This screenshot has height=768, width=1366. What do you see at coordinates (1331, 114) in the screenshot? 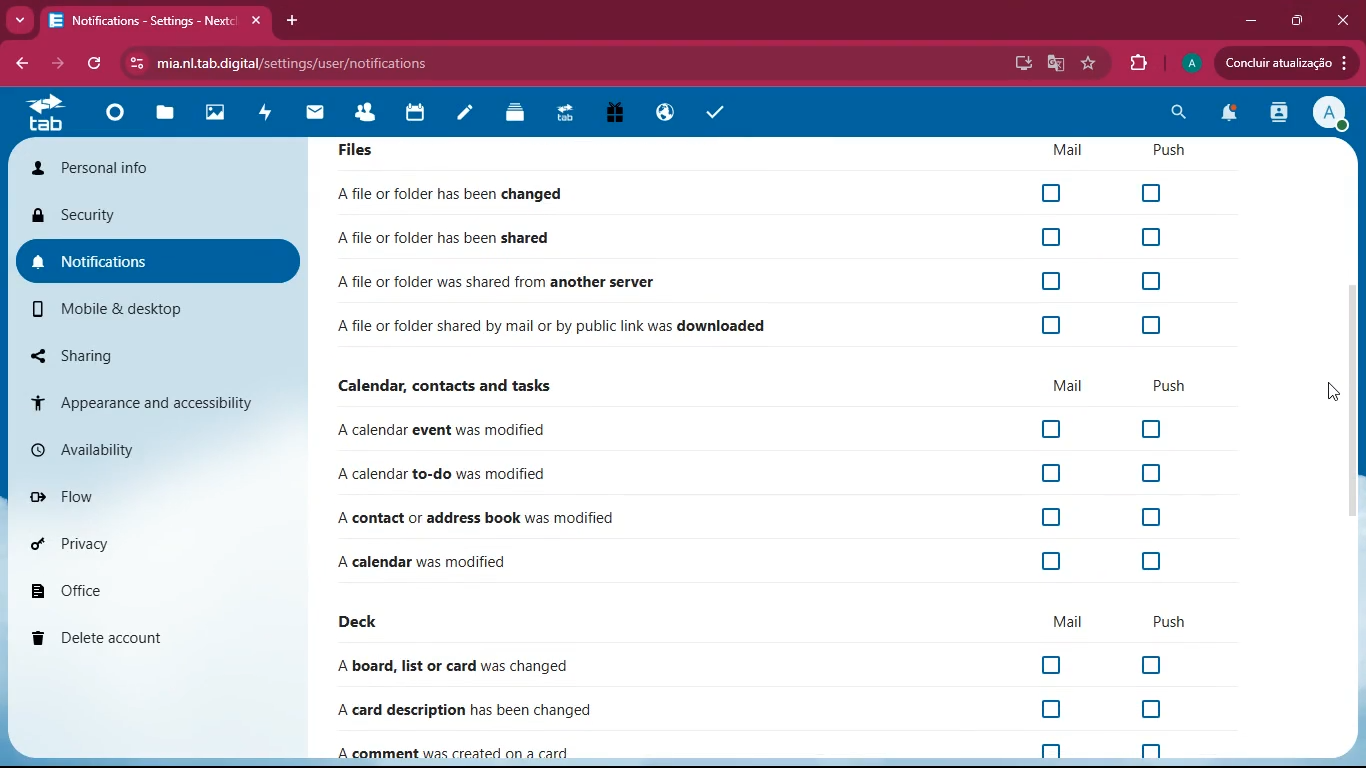
I see `View Profile` at bounding box center [1331, 114].